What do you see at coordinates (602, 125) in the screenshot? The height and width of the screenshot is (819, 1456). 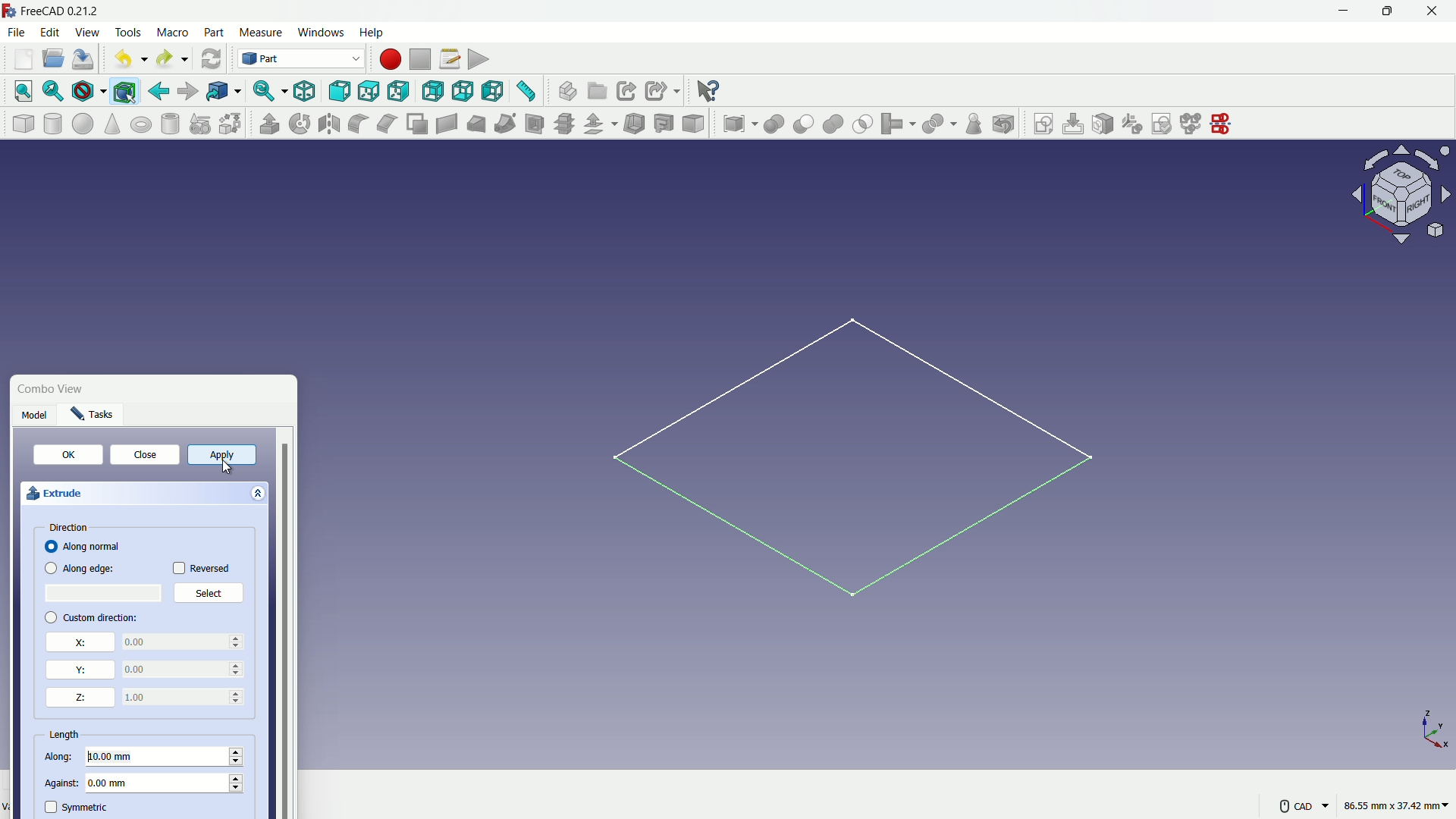 I see `offset` at bounding box center [602, 125].